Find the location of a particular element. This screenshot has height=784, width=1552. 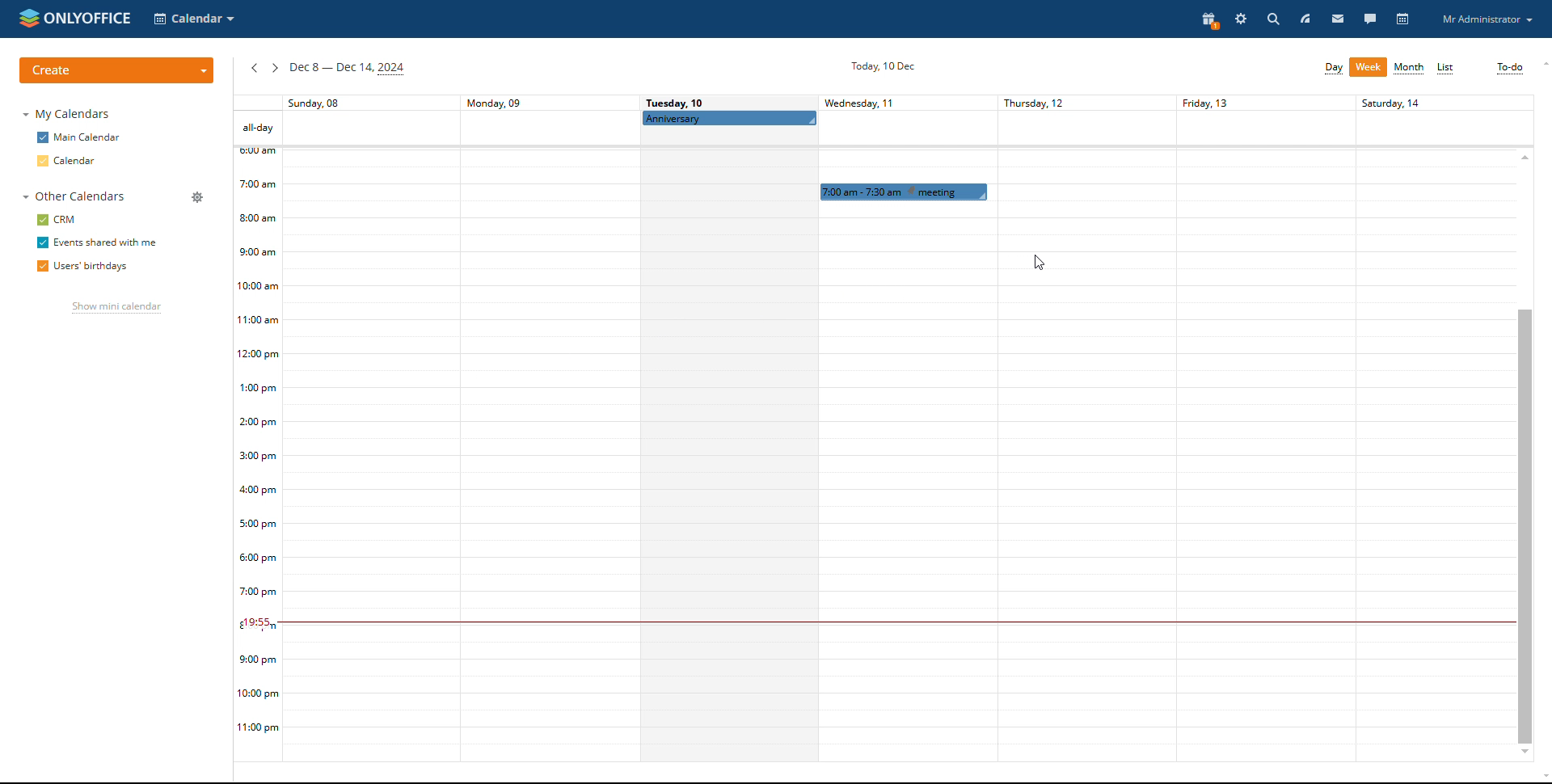

create is located at coordinates (116, 70).